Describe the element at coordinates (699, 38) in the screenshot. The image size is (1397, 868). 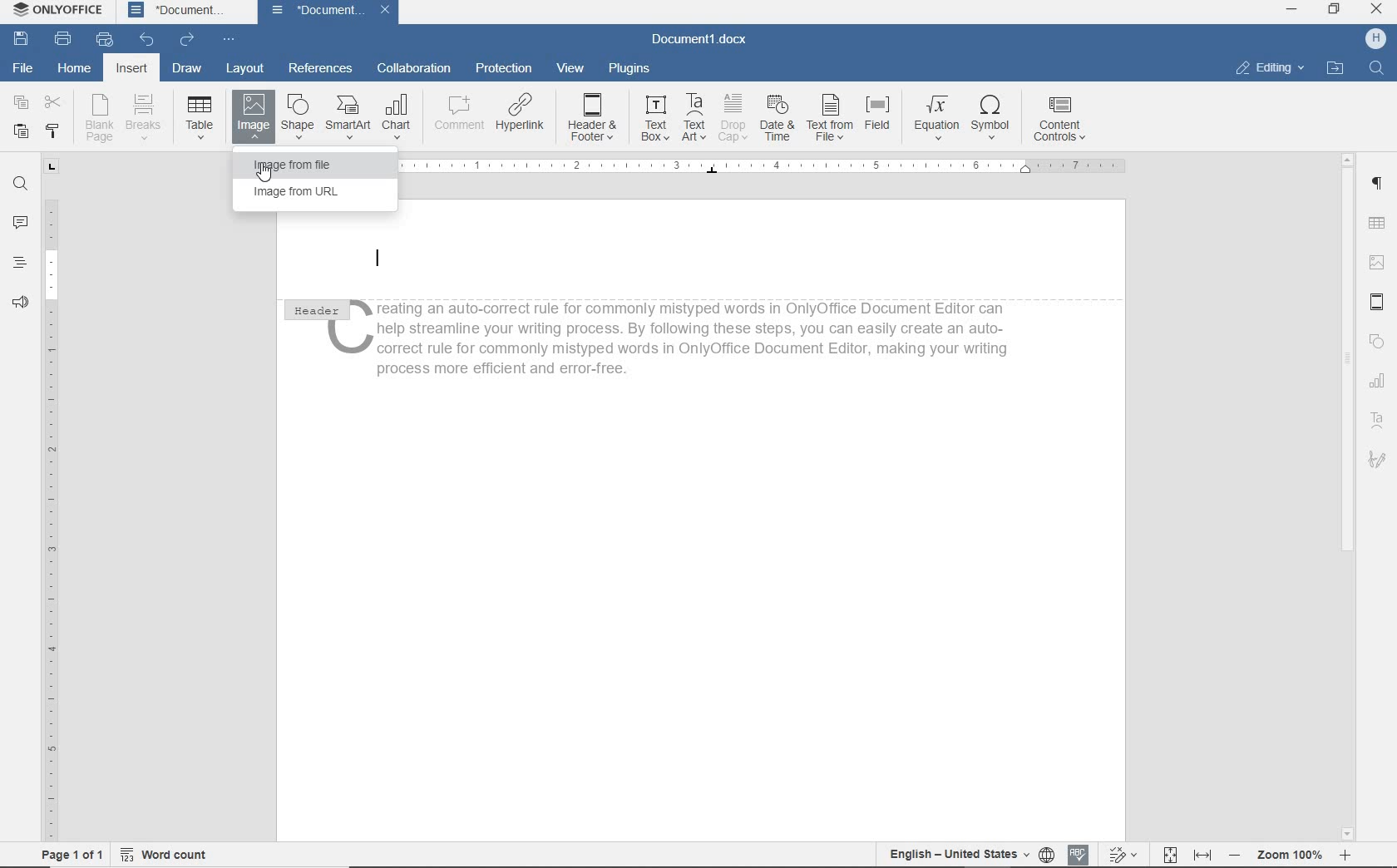
I see `DOCUMENT .docx` at that location.